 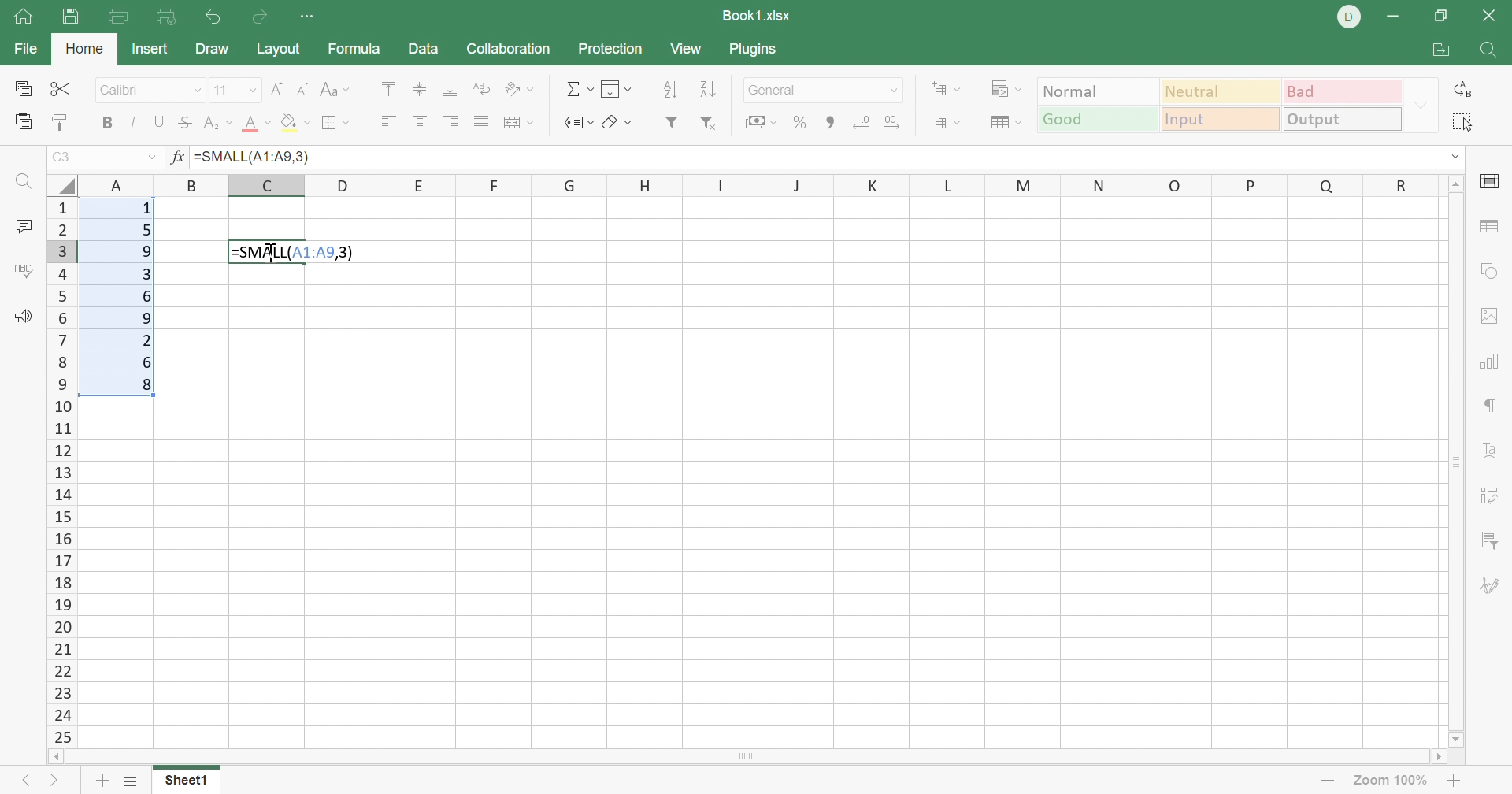 What do you see at coordinates (618, 124) in the screenshot?
I see `Clear style` at bounding box center [618, 124].